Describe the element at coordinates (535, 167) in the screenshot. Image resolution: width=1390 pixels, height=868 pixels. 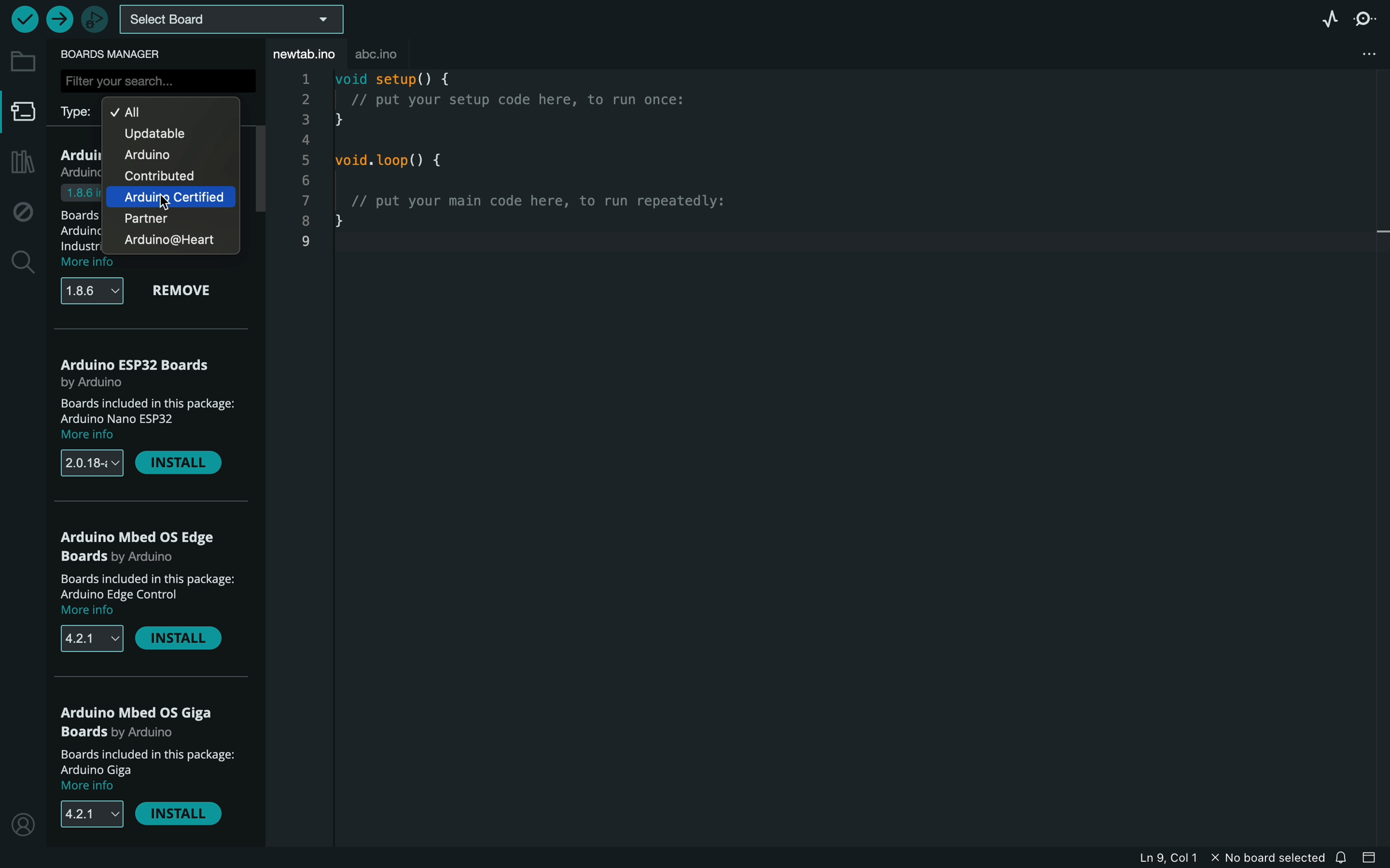
I see `code` at that location.